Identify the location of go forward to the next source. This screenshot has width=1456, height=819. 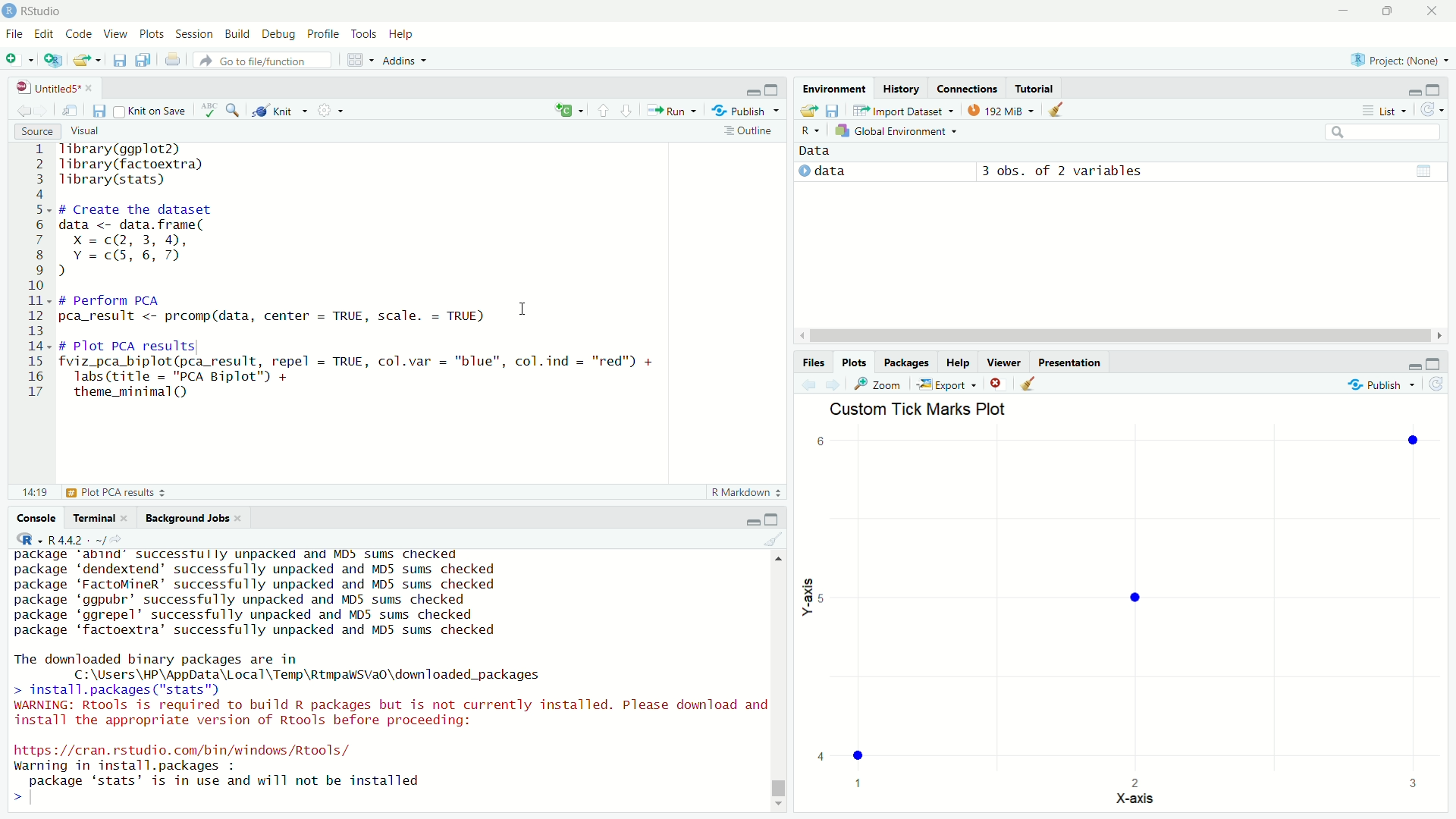
(43, 111).